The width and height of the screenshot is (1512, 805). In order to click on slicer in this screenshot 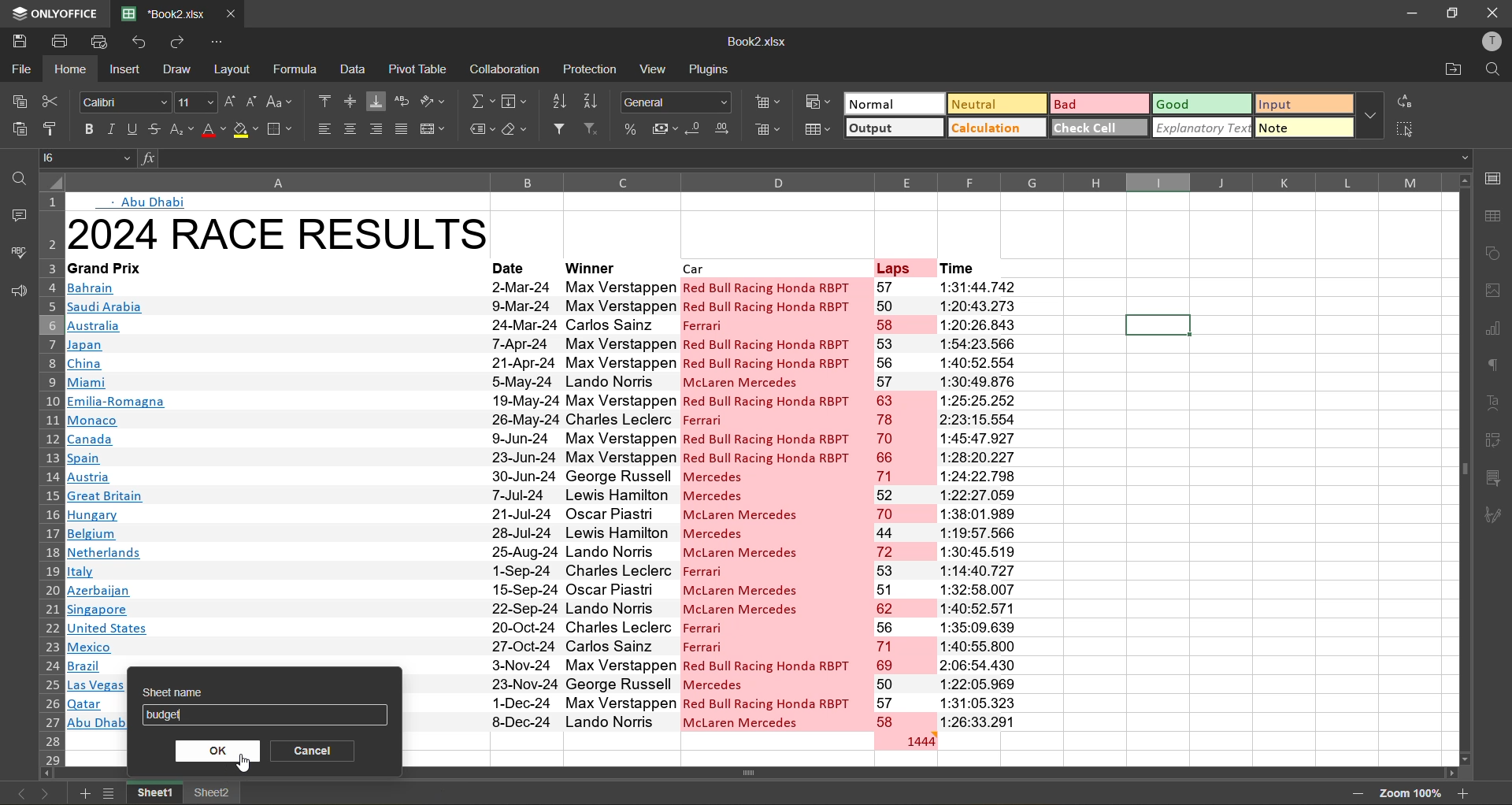, I will do `click(1493, 477)`.